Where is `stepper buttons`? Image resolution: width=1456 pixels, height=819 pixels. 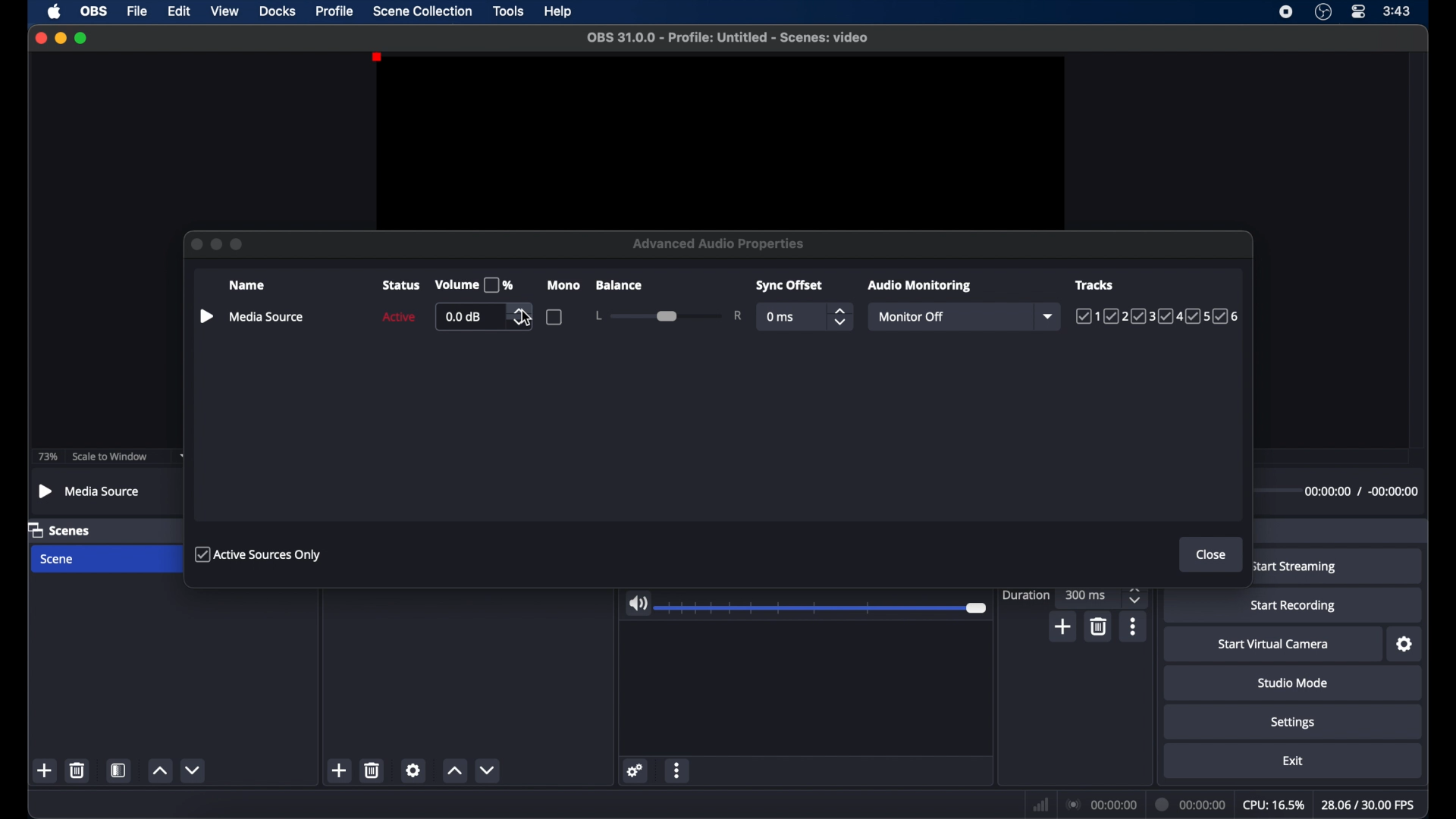
stepper buttons is located at coordinates (1134, 595).